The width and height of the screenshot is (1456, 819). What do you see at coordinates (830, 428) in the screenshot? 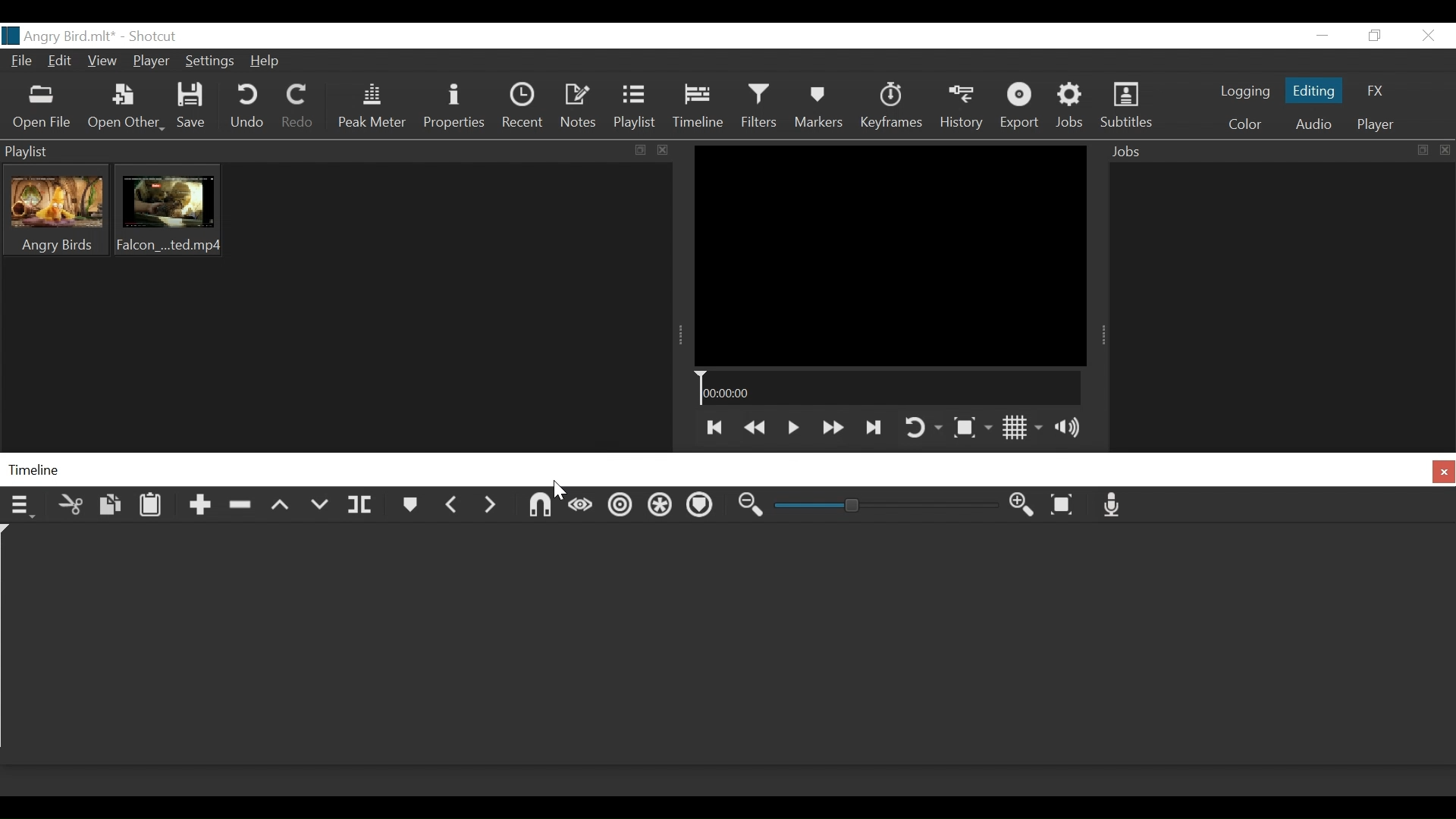
I see `Play quickly forward` at bounding box center [830, 428].